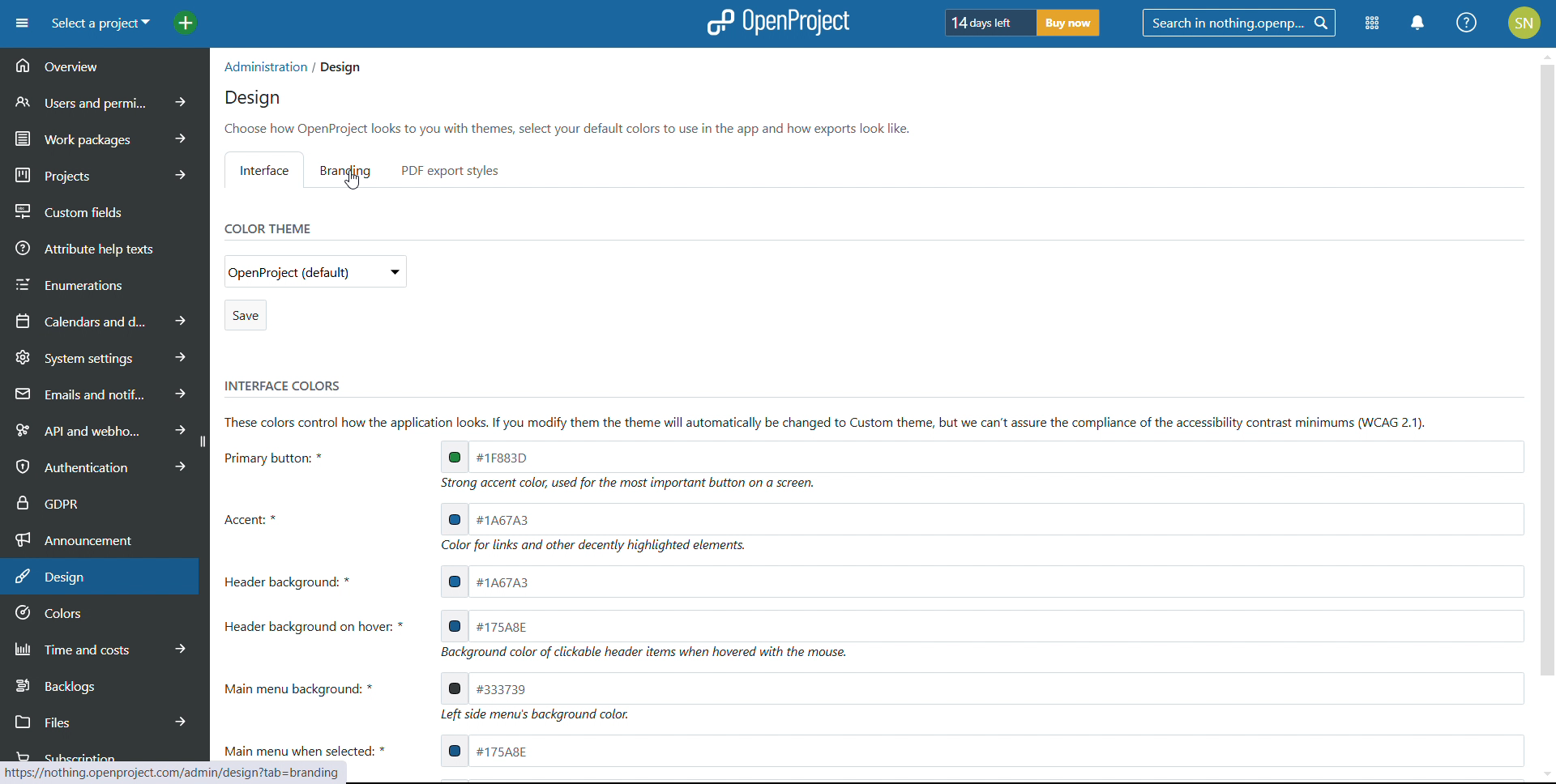 The width and height of the screenshot is (1556, 784). Describe the element at coordinates (264, 169) in the screenshot. I see `interface` at that location.